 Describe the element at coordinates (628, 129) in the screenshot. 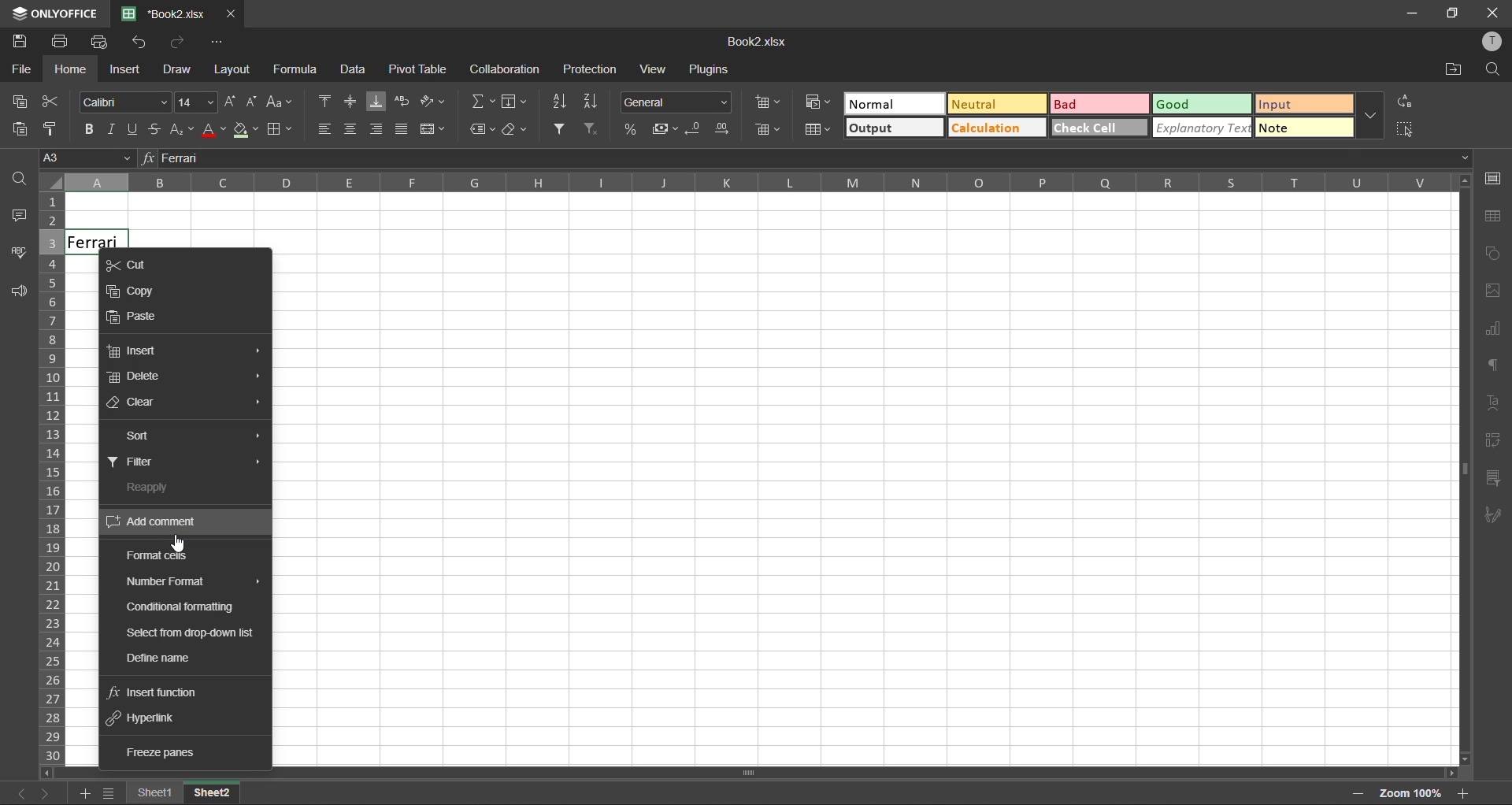

I see `percent` at that location.